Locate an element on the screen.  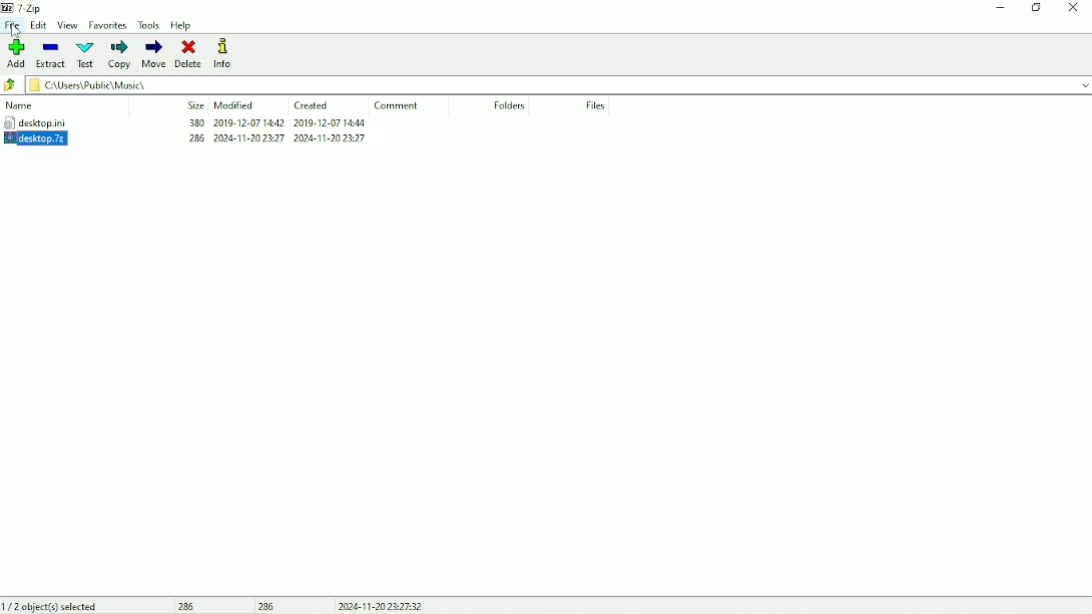
Date and Time is located at coordinates (379, 606).